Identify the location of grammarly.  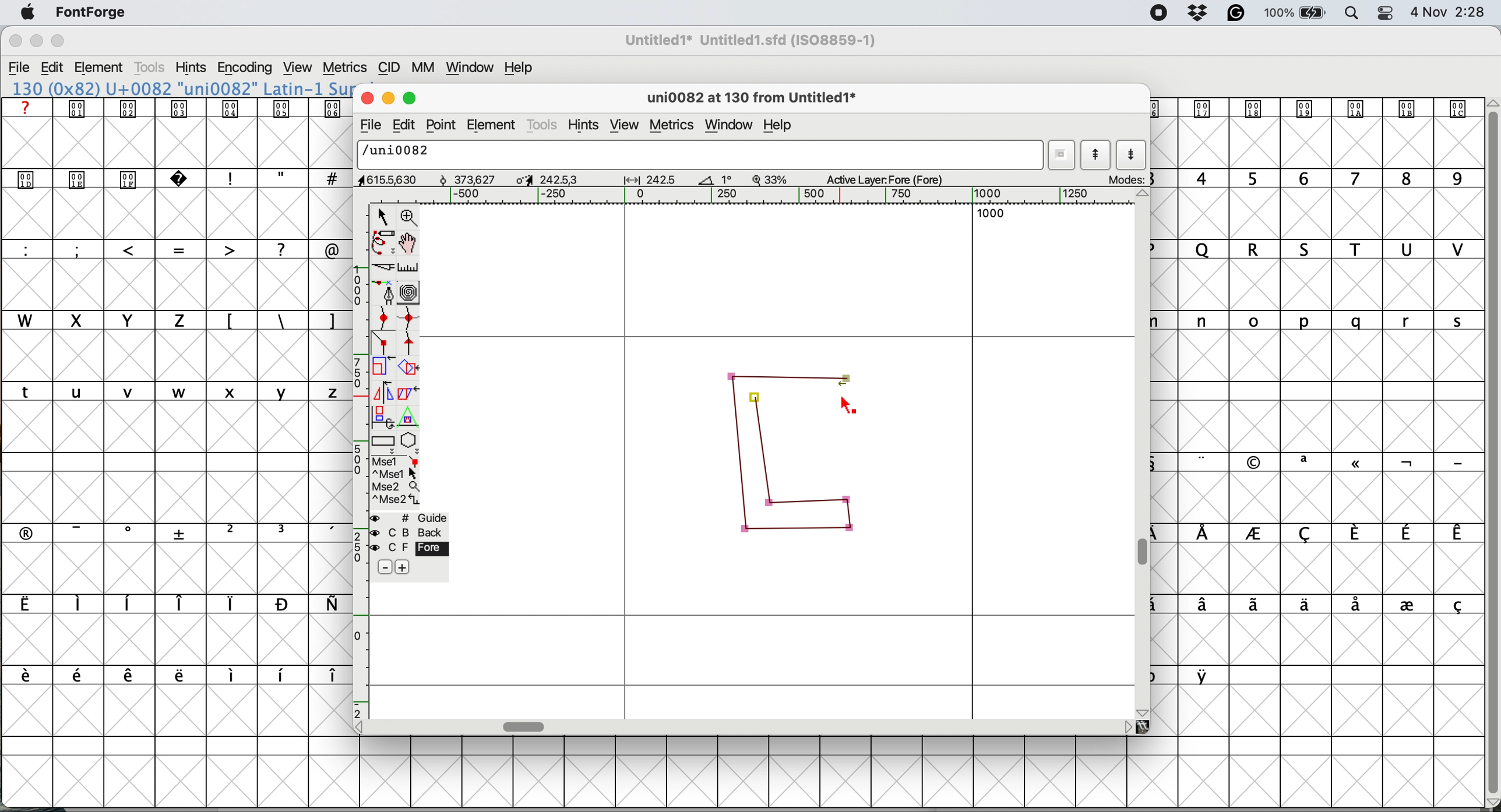
(1238, 14).